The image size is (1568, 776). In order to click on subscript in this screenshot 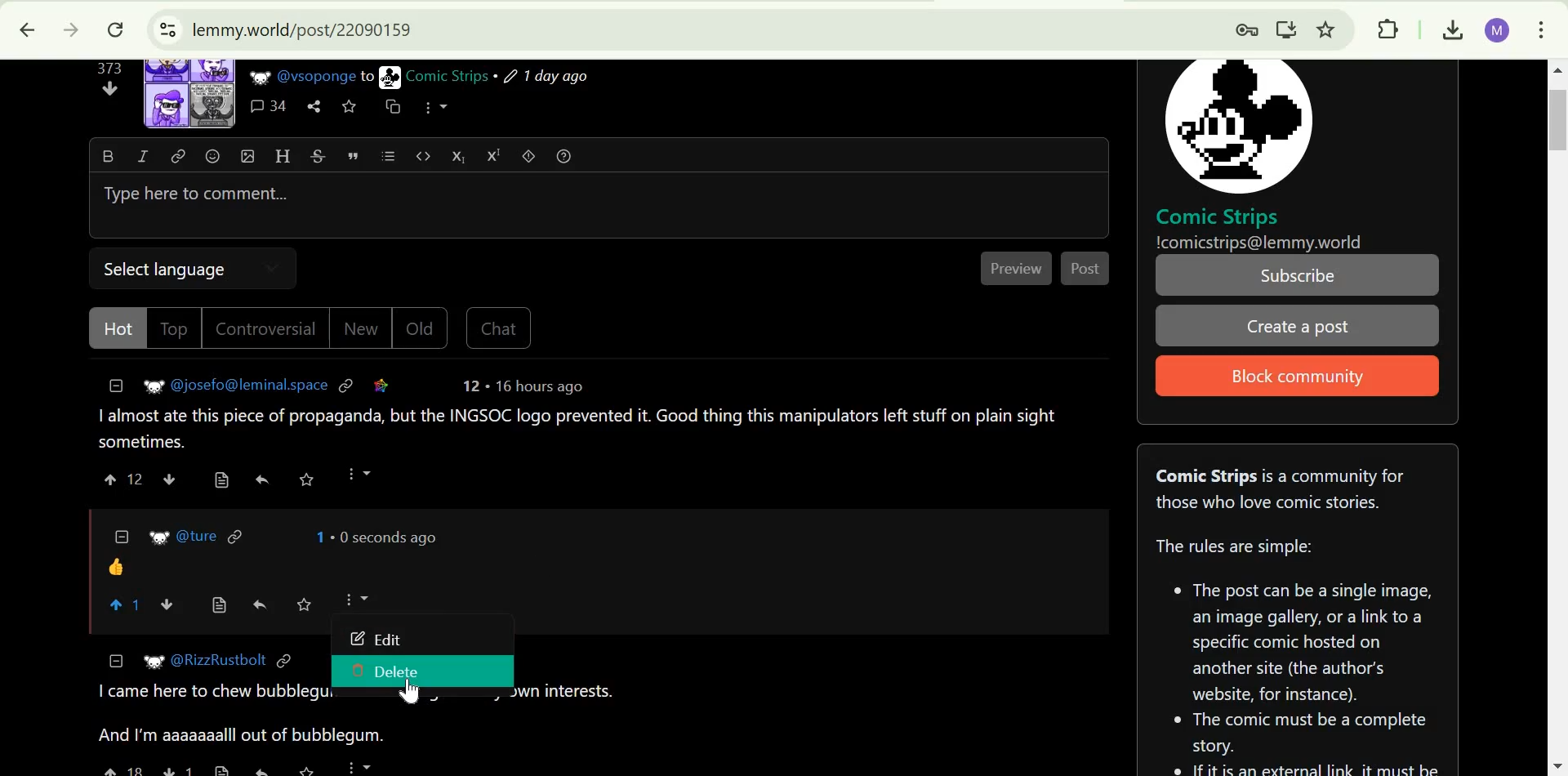, I will do `click(458, 155)`.